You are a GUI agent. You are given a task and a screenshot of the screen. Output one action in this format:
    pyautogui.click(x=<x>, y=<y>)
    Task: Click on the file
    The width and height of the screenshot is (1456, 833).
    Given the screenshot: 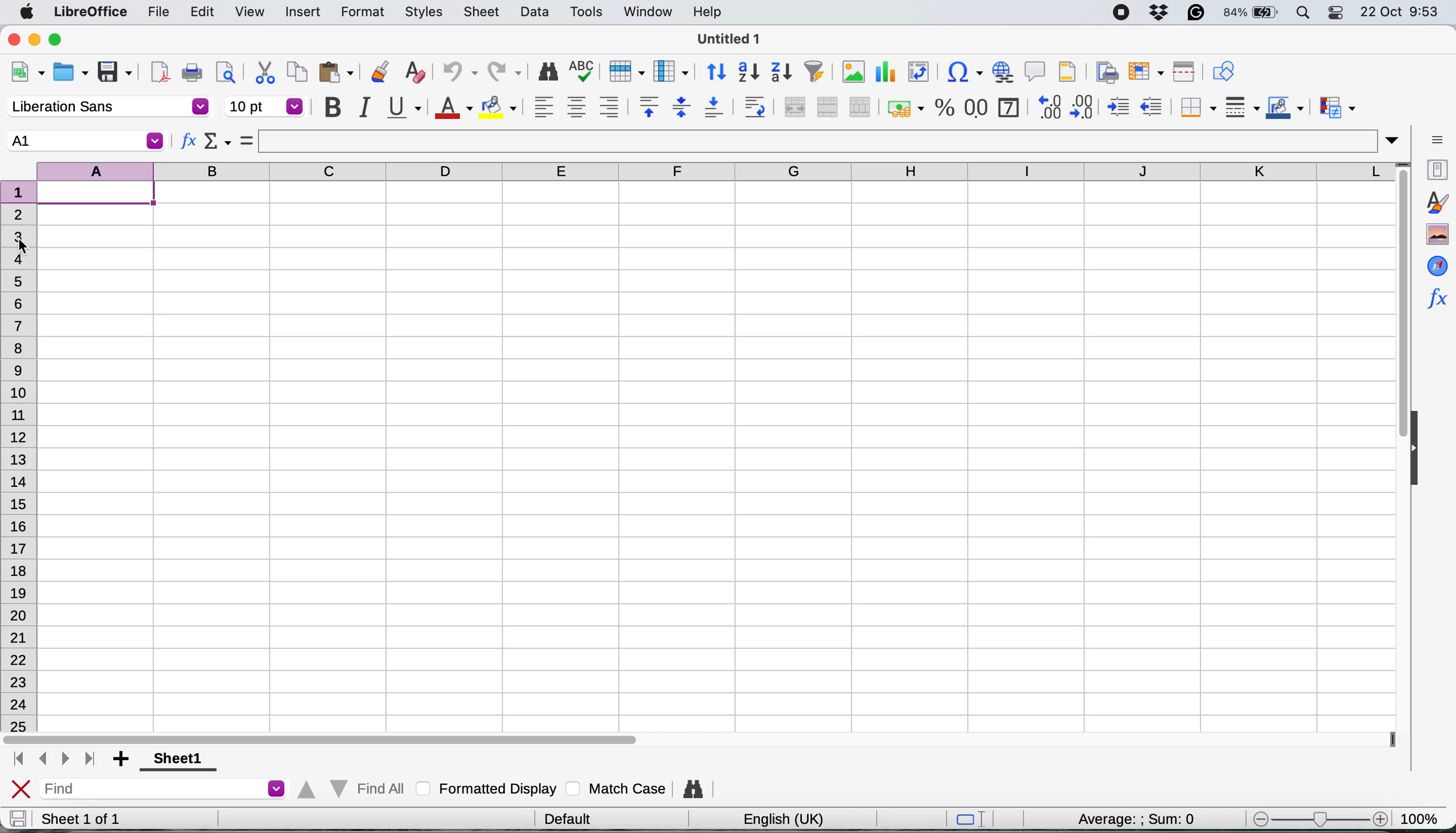 What is the action you would take?
    pyautogui.click(x=158, y=13)
    